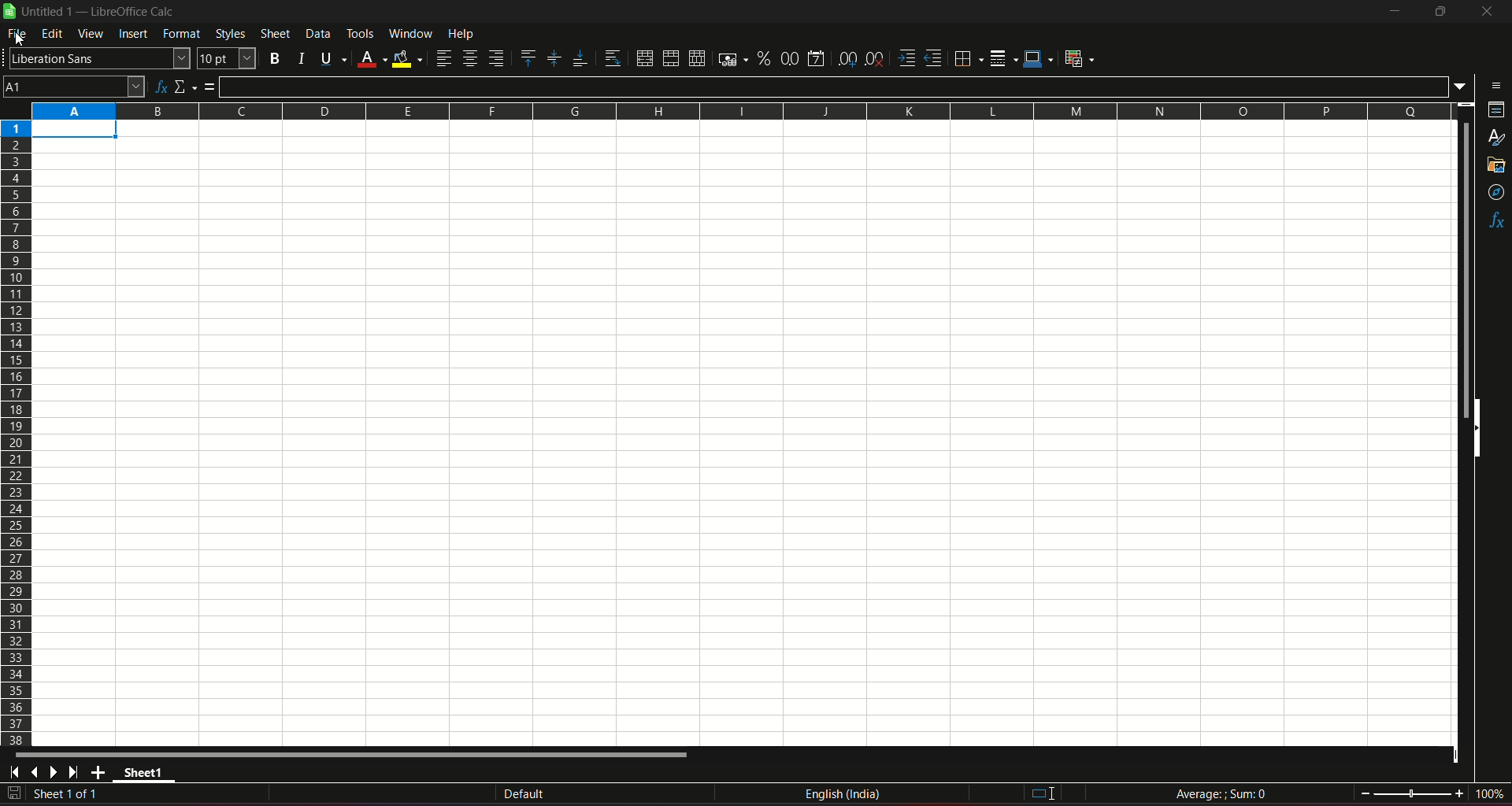  What do you see at coordinates (729, 59) in the screenshot?
I see `format as currency` at bounding box center [729, 59].